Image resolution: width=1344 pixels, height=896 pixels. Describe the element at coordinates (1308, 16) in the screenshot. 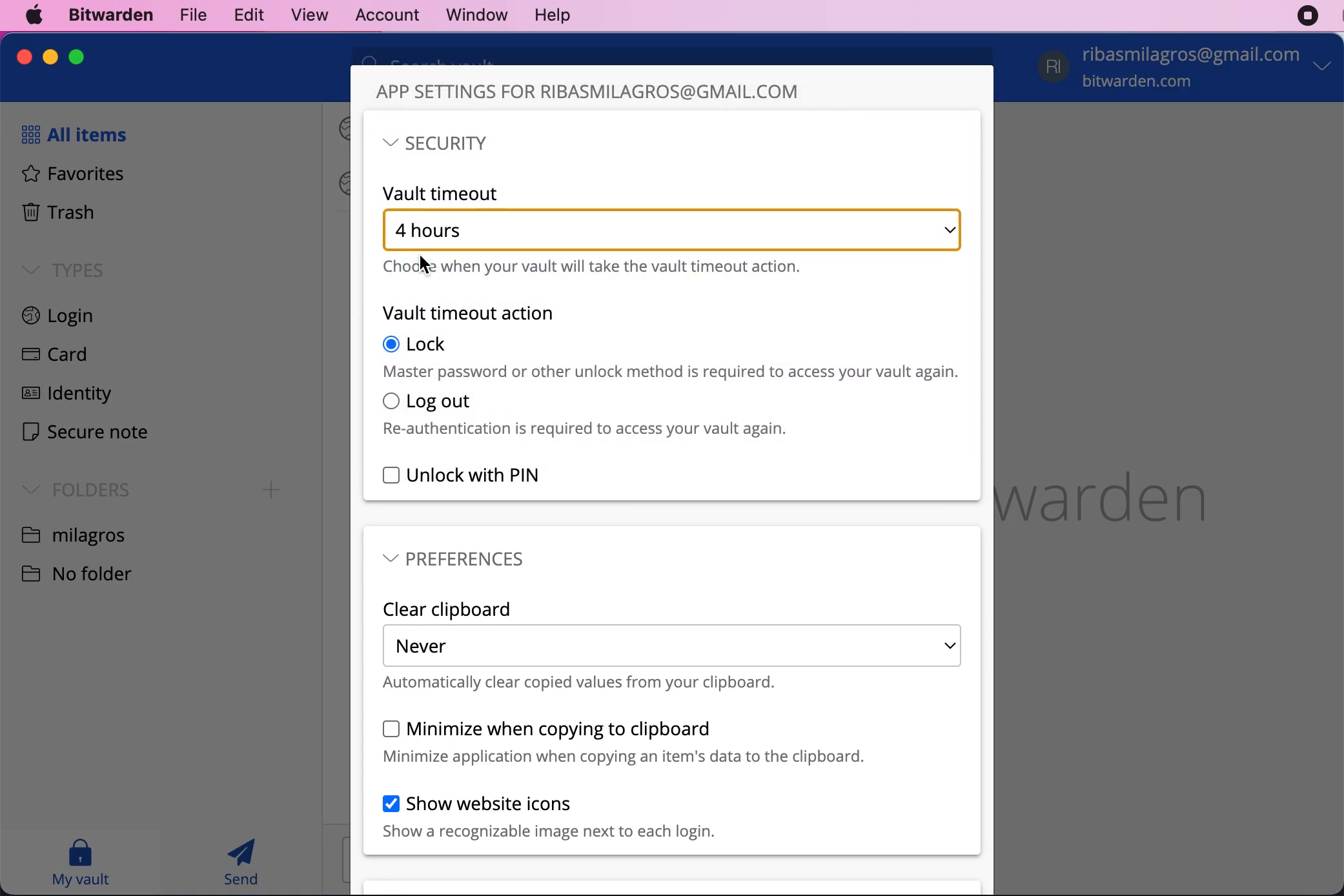

I see `recording stopped` at that location.